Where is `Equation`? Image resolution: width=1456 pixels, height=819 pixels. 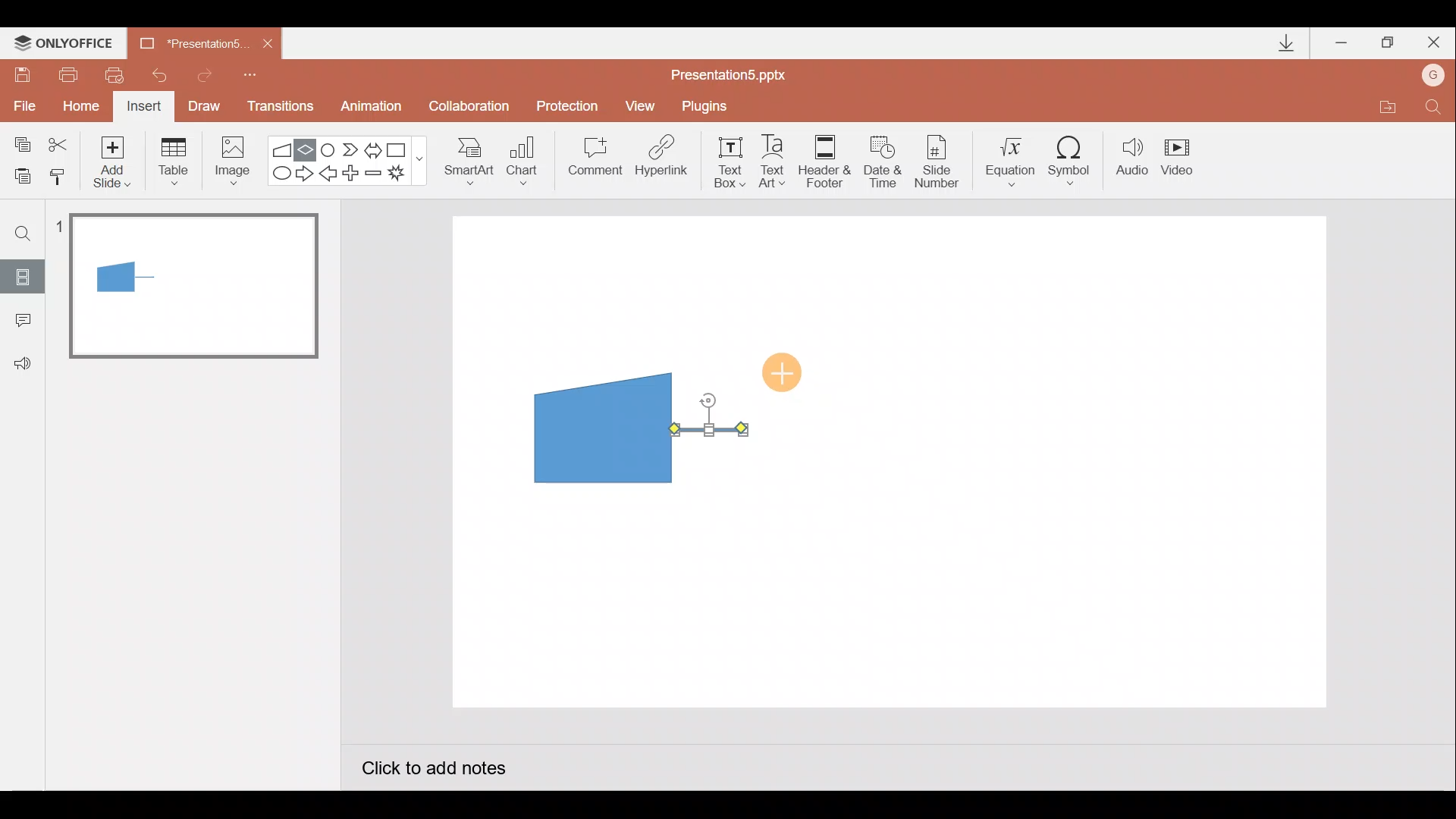 Equation is located at coordinates (1013, 159).